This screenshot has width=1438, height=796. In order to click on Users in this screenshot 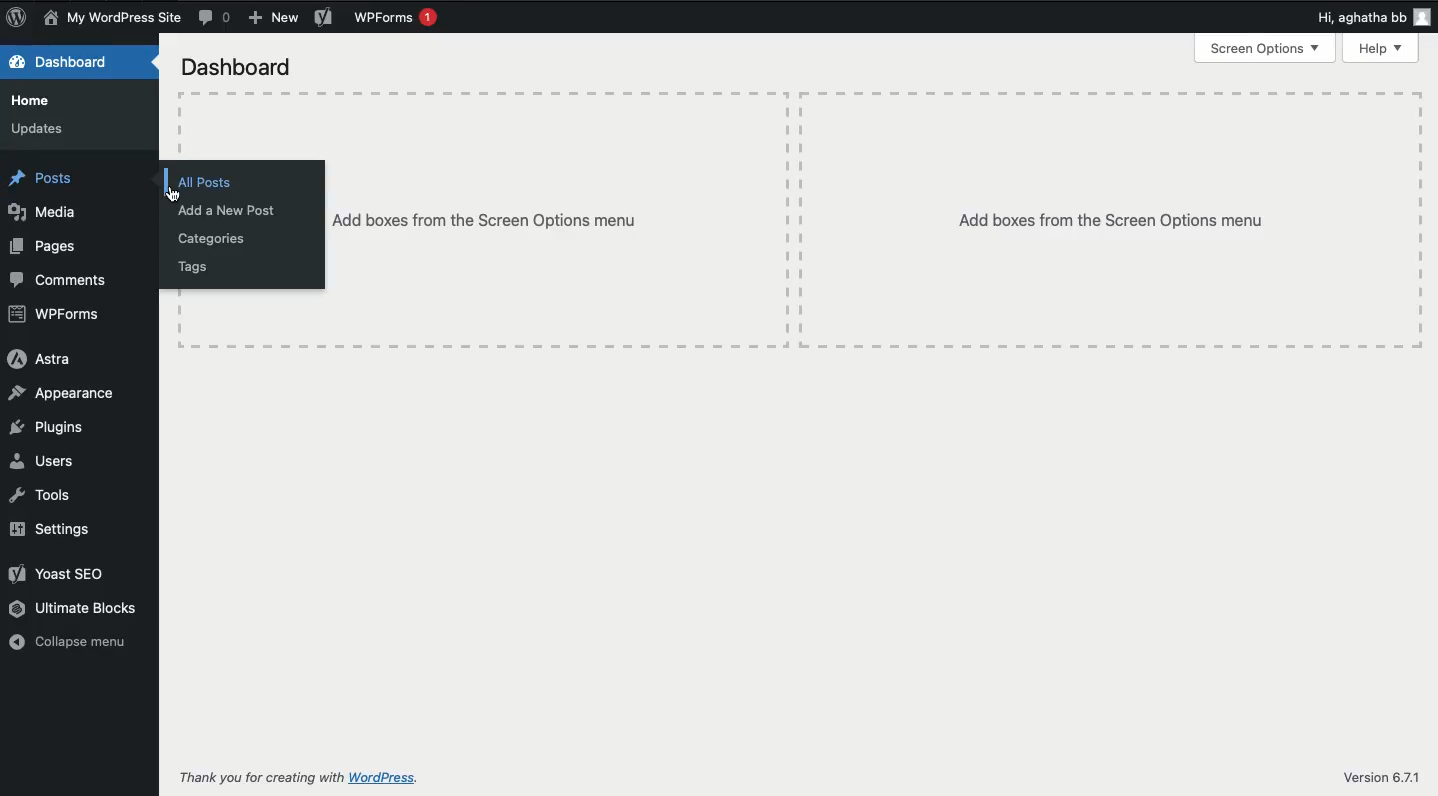, I will do `click(45, 462)`.